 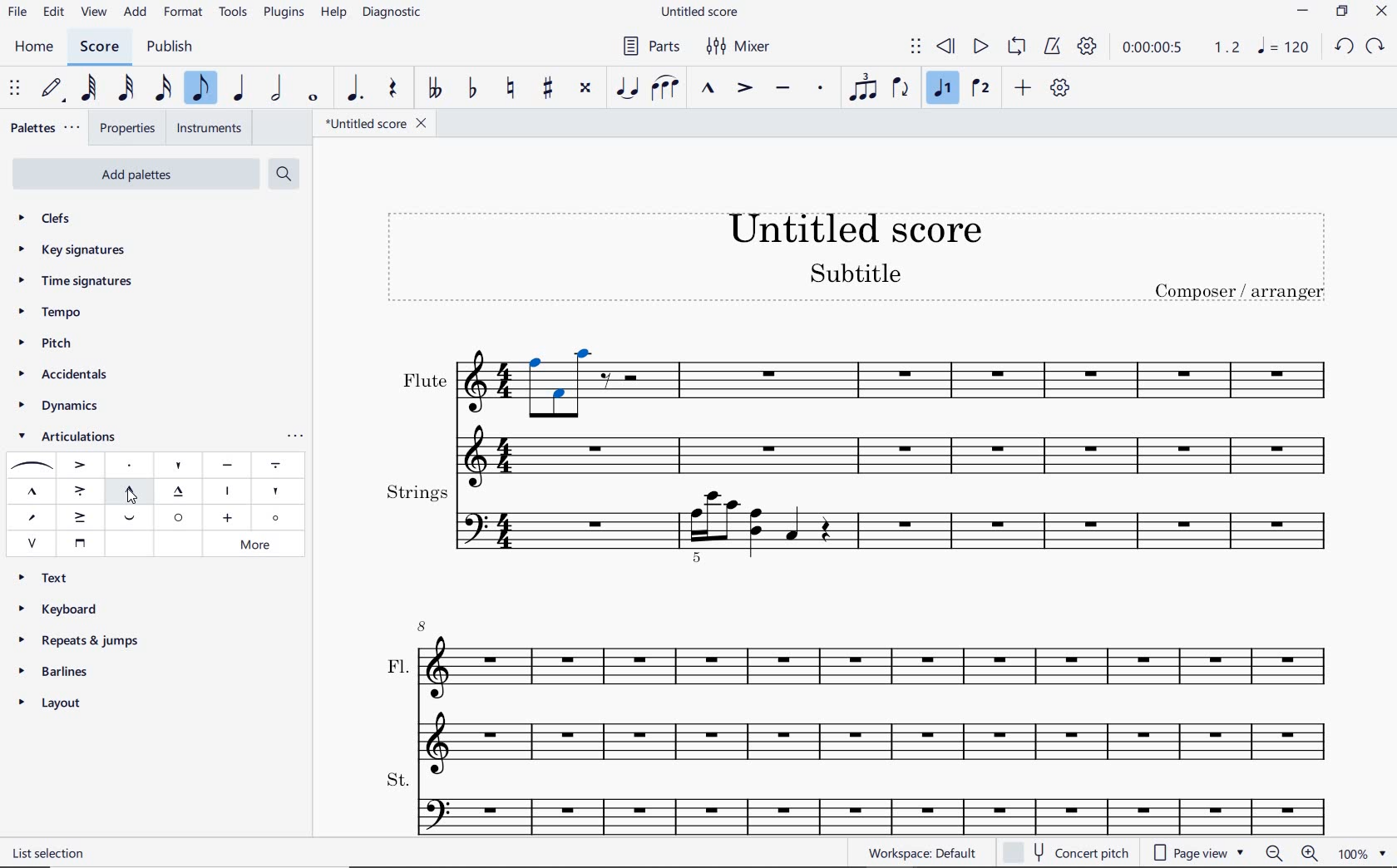 What do you see at coordinates (474, 86) in the screenshot?
I see `TOGGLE FLAT` at bounding box center [474, 86].